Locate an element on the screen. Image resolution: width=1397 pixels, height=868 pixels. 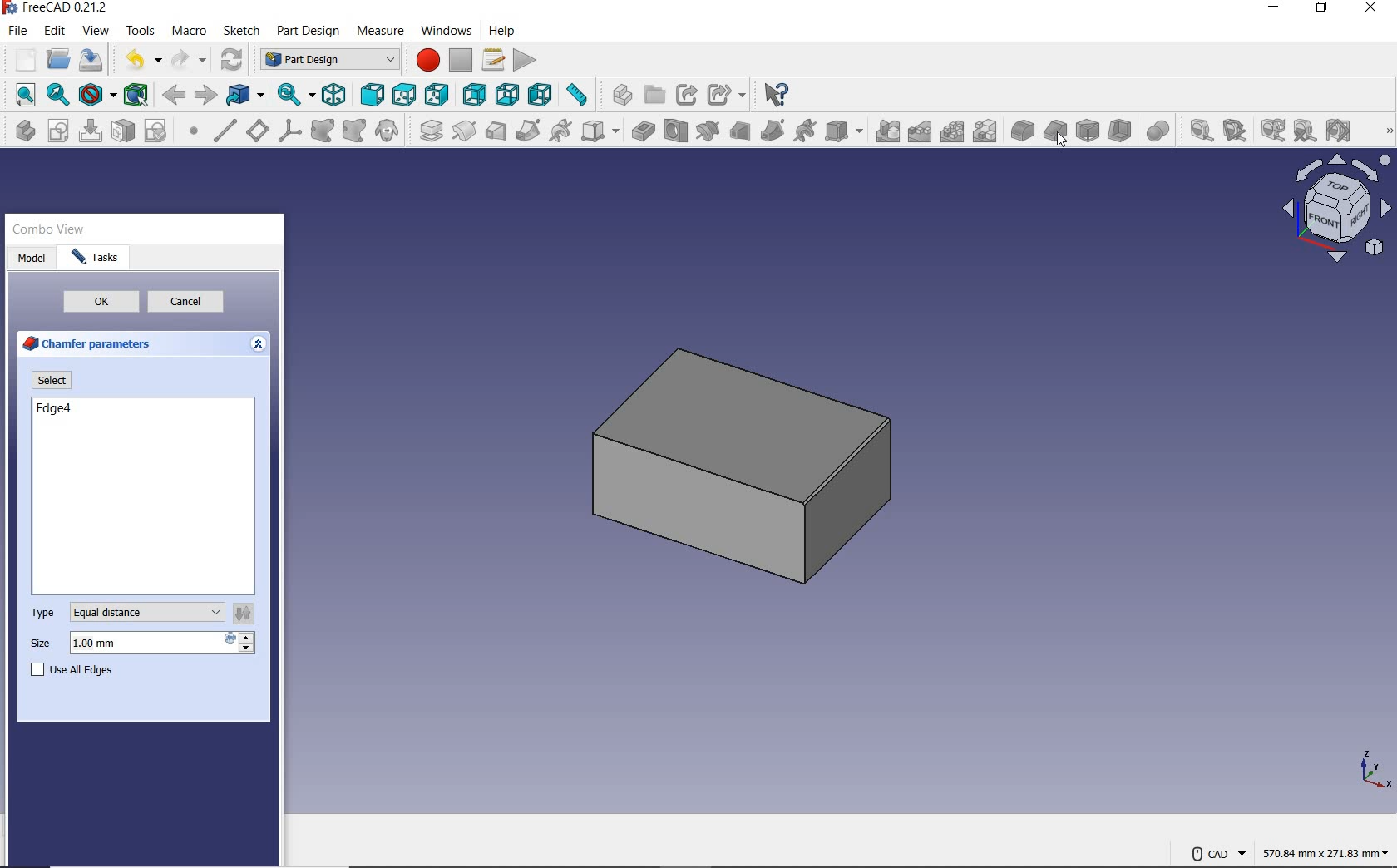
thickness is located at coordinates (1122, 131).